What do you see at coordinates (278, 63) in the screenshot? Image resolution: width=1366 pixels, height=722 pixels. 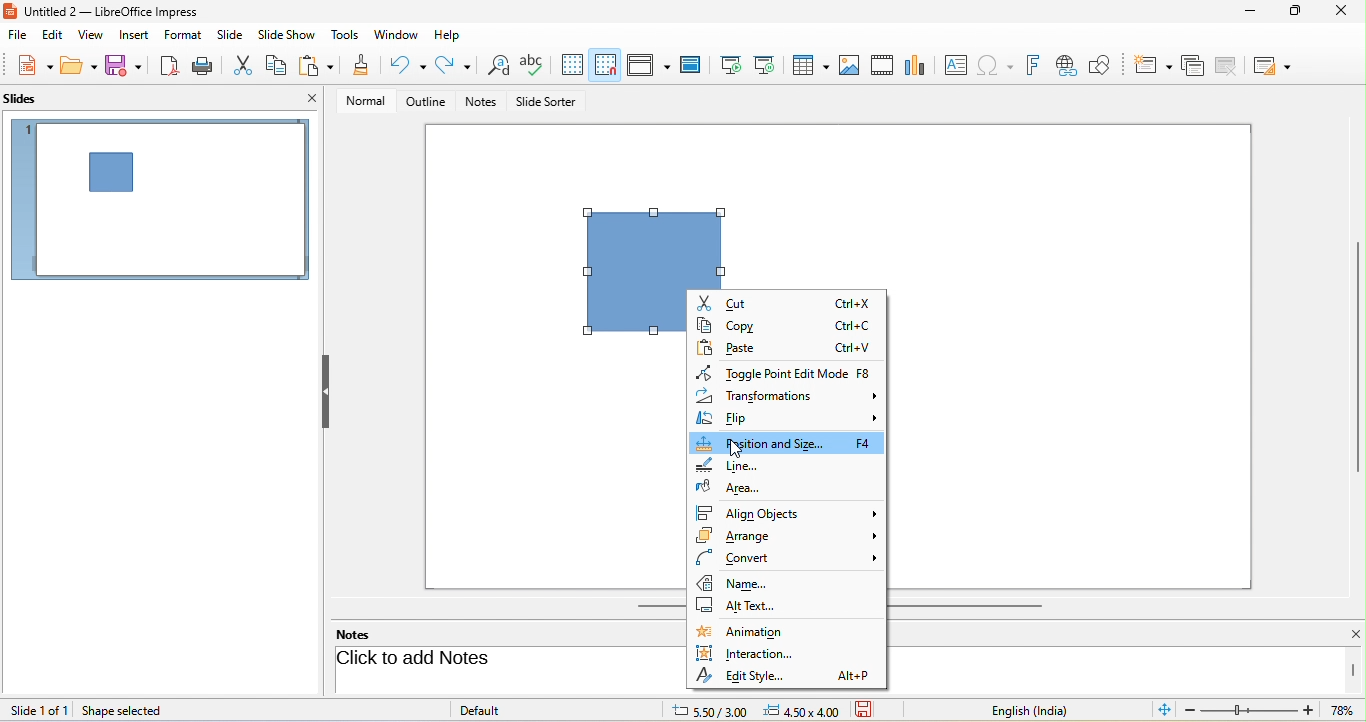 I see `copy` at bounding box center [278, 63].